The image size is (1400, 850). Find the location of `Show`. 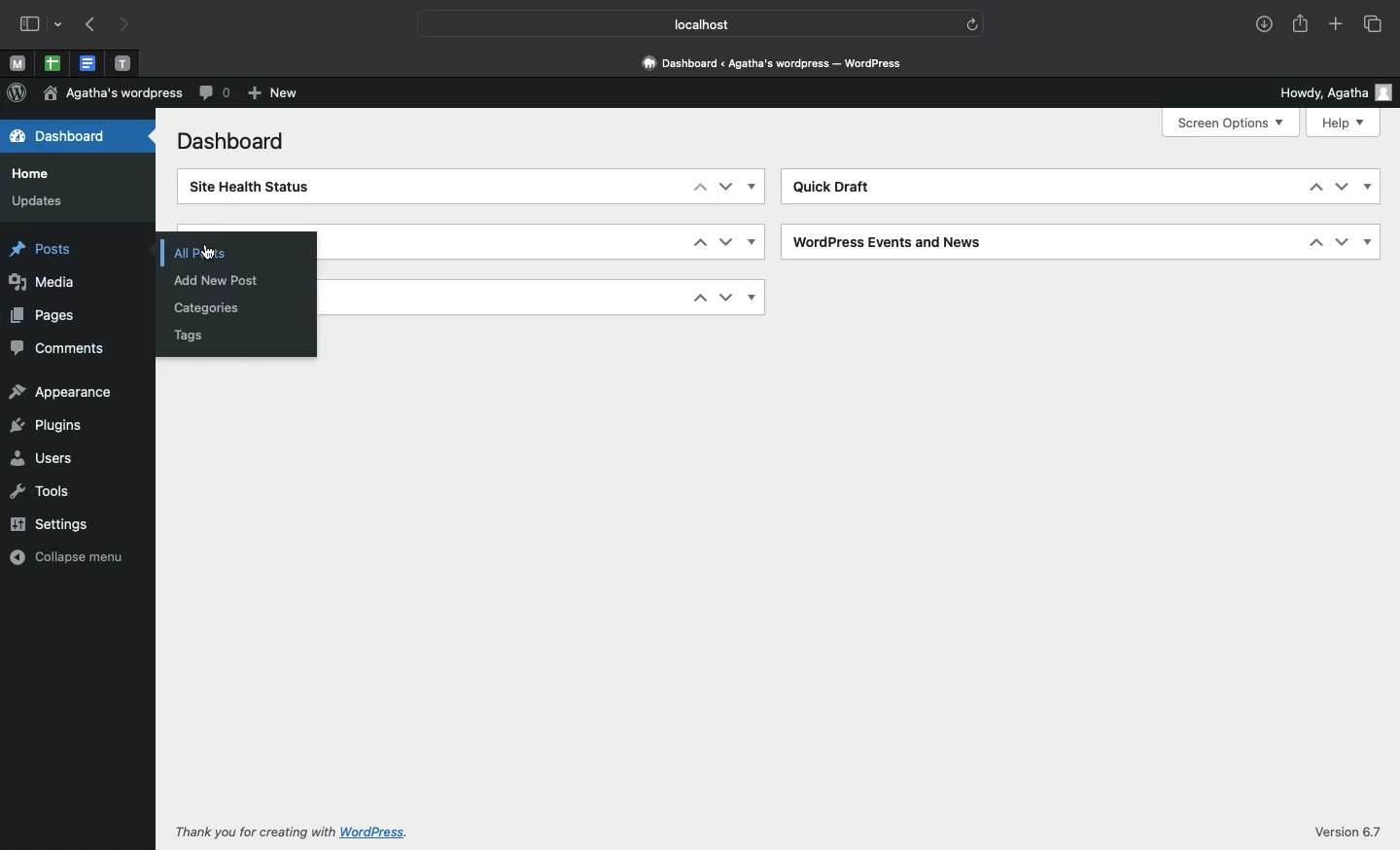

Show is located at coordinates (755, 297).